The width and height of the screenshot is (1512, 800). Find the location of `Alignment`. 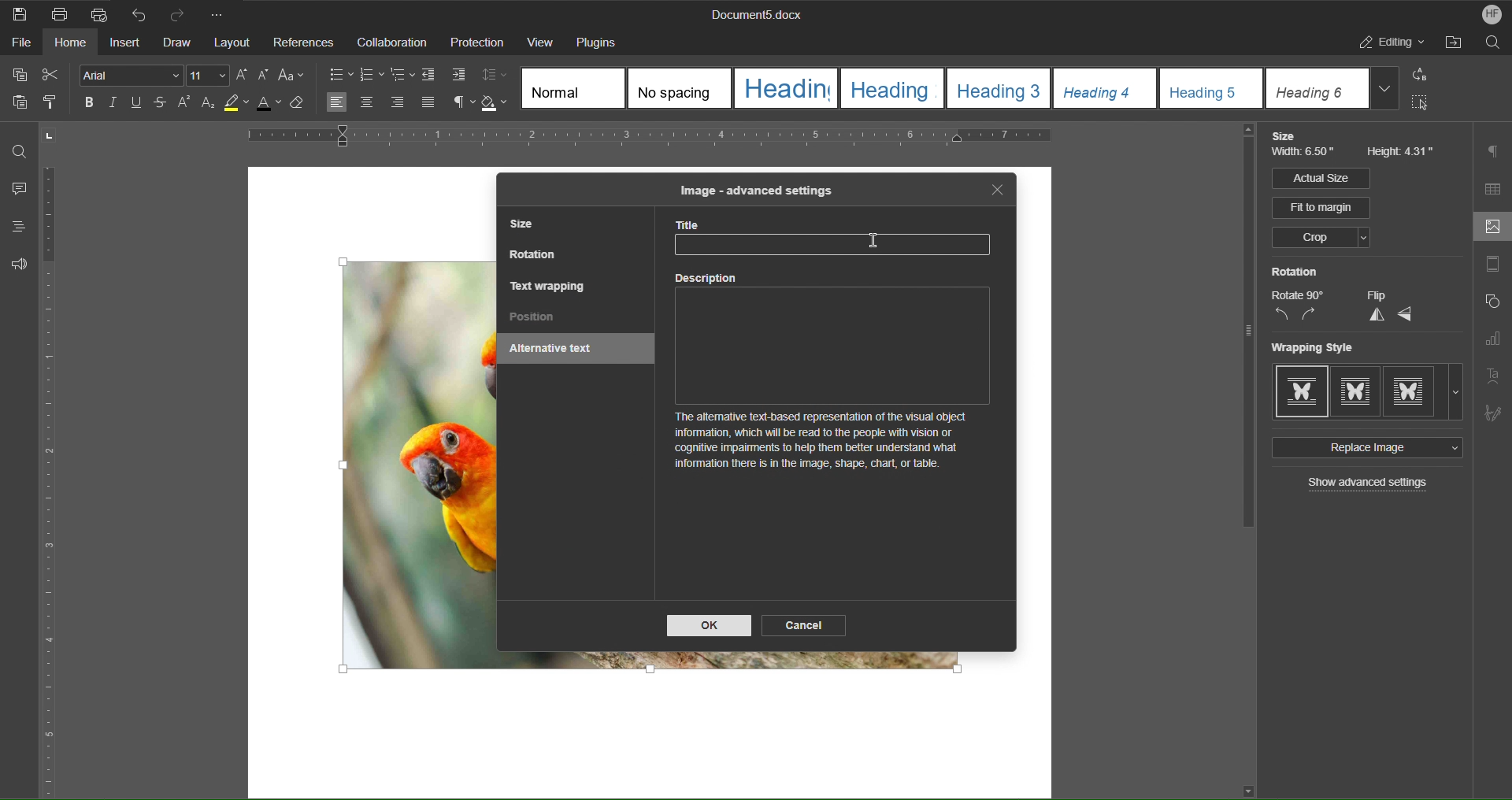

Alignment is located at coordinates (380, 103).